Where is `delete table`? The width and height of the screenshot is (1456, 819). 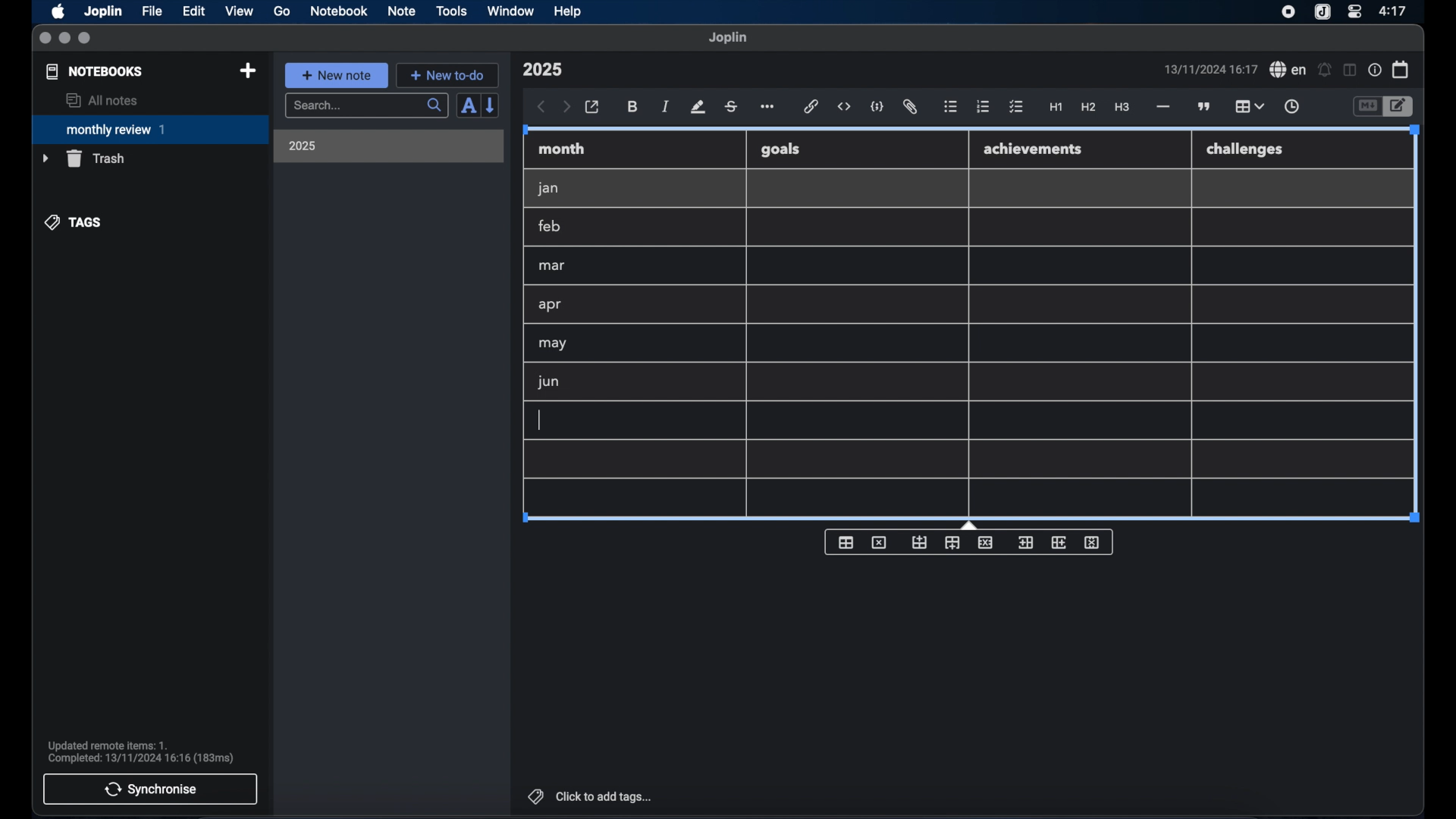
delete table is located at coordinates (879, 543).